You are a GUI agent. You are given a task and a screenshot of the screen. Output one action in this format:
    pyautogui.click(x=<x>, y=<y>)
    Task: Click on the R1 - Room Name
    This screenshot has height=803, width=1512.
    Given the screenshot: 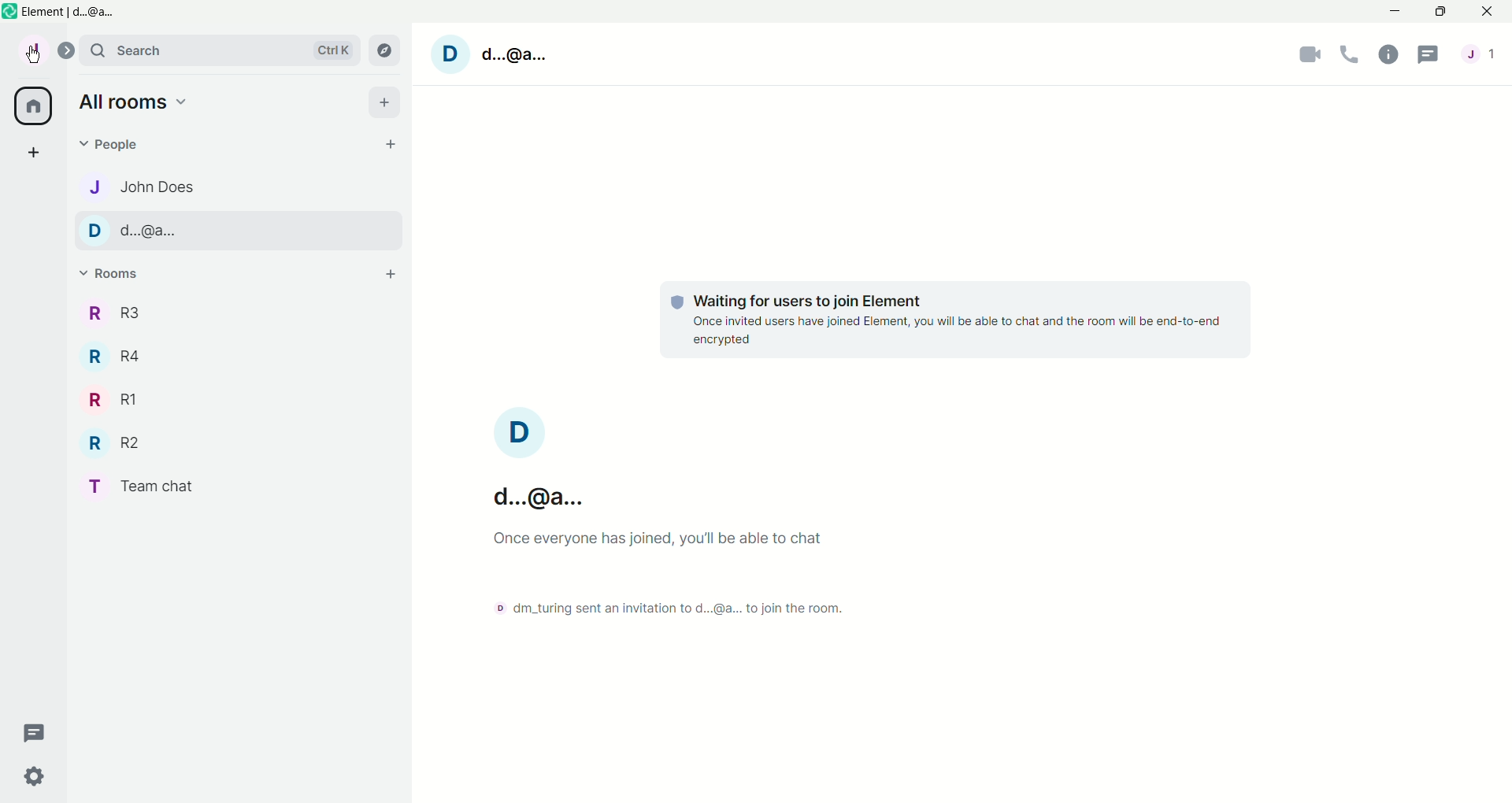 What is the action you would take?
    pyautogui.click(x=116, y=399)
    